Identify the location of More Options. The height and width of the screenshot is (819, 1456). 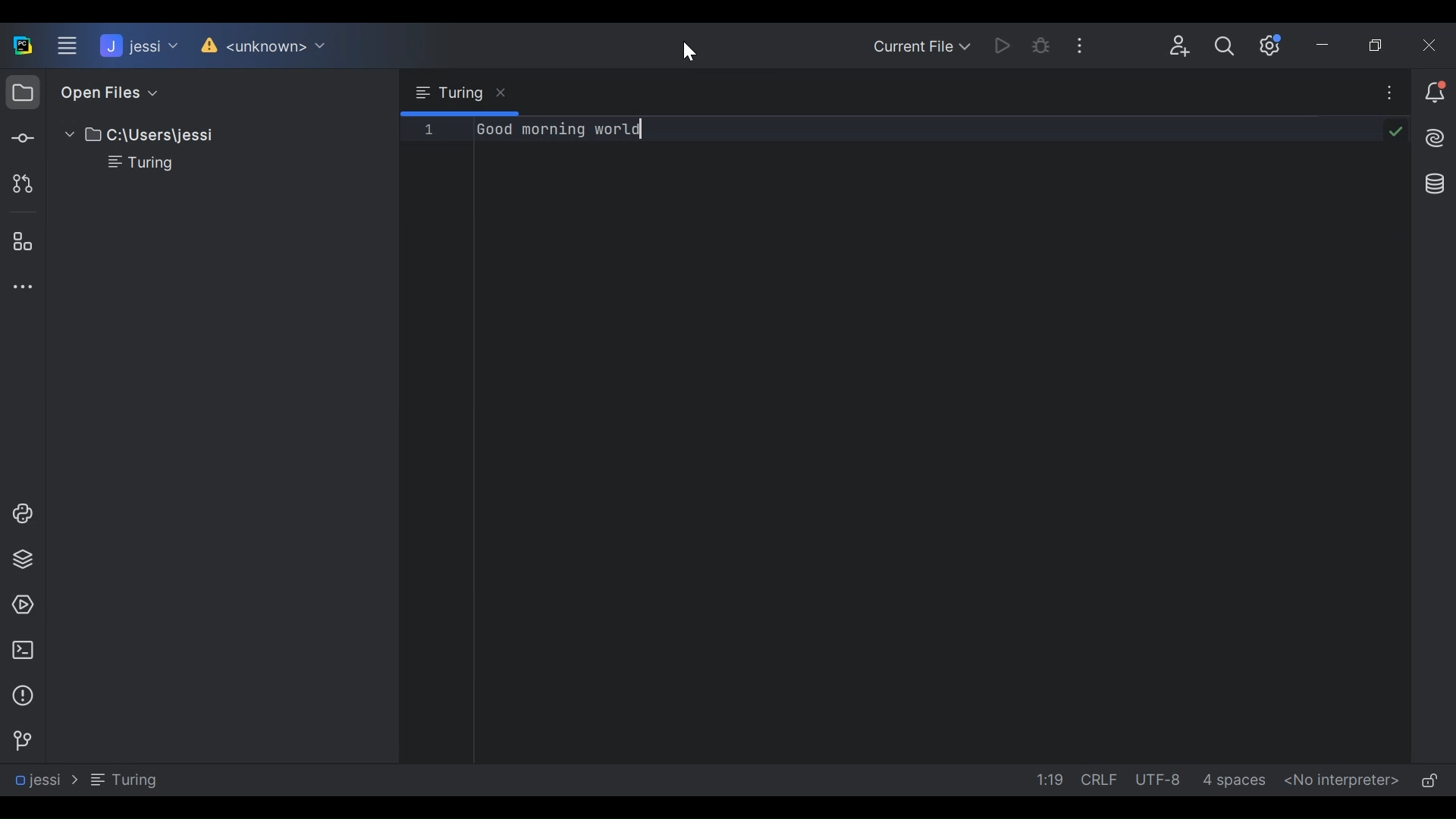
(1084, 42).